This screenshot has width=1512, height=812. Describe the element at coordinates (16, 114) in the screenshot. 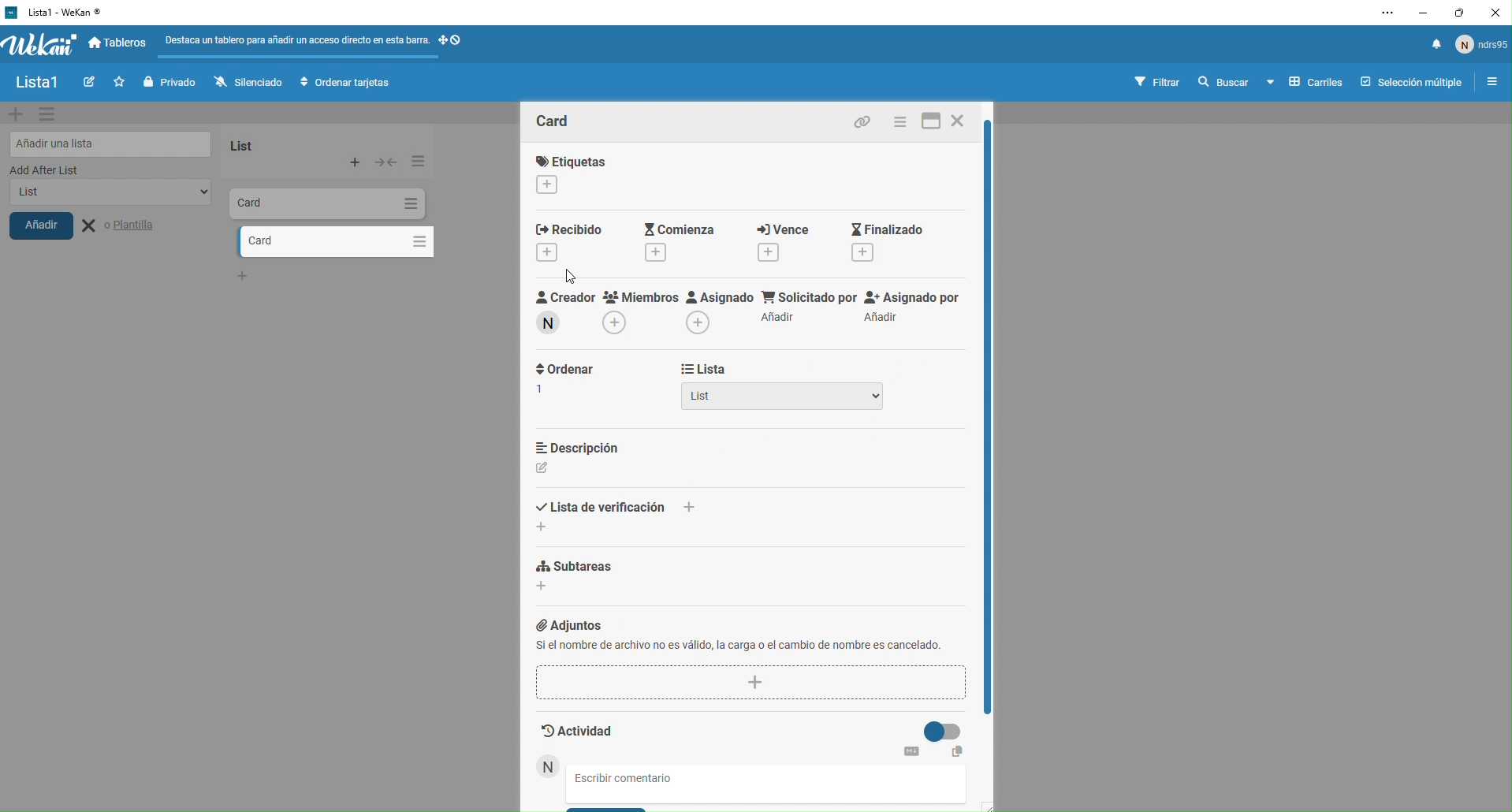

I see `add new ` at that location.